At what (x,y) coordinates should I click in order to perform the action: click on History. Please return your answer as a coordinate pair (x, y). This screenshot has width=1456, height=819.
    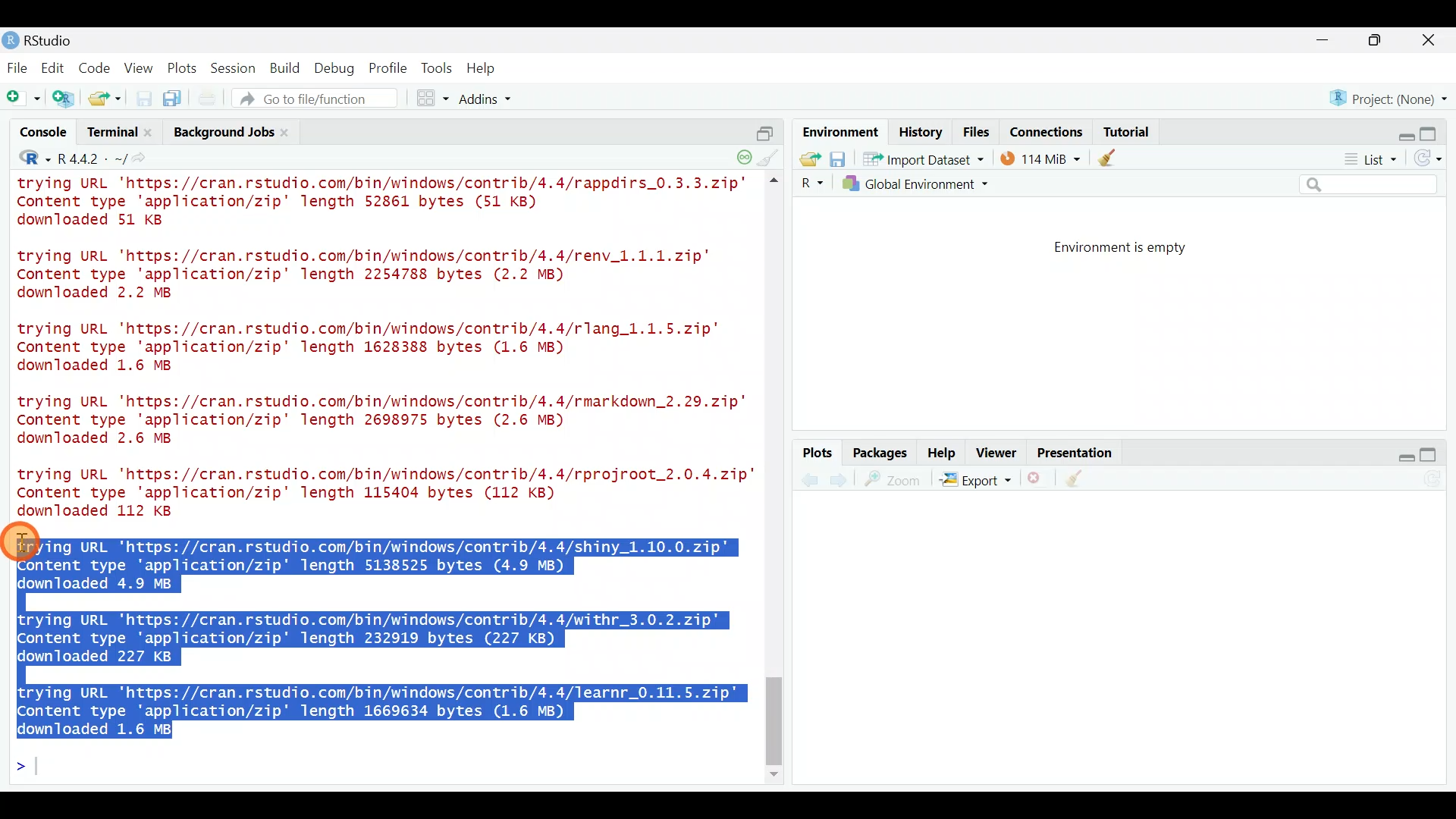
    Looking at the image, I should click on (921, 131).